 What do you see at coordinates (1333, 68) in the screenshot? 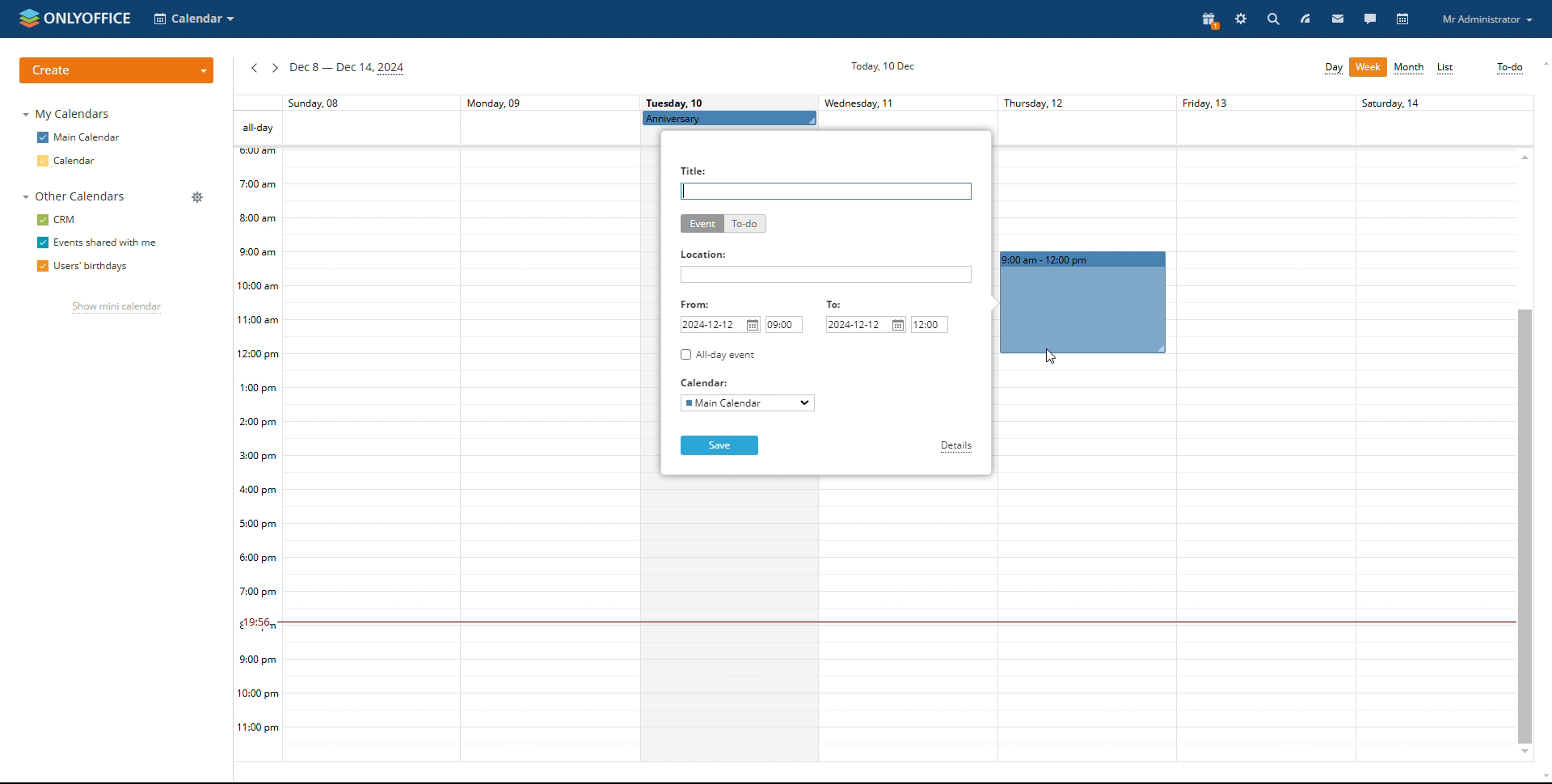
I see `day view` at bounding box center [1333, 68].